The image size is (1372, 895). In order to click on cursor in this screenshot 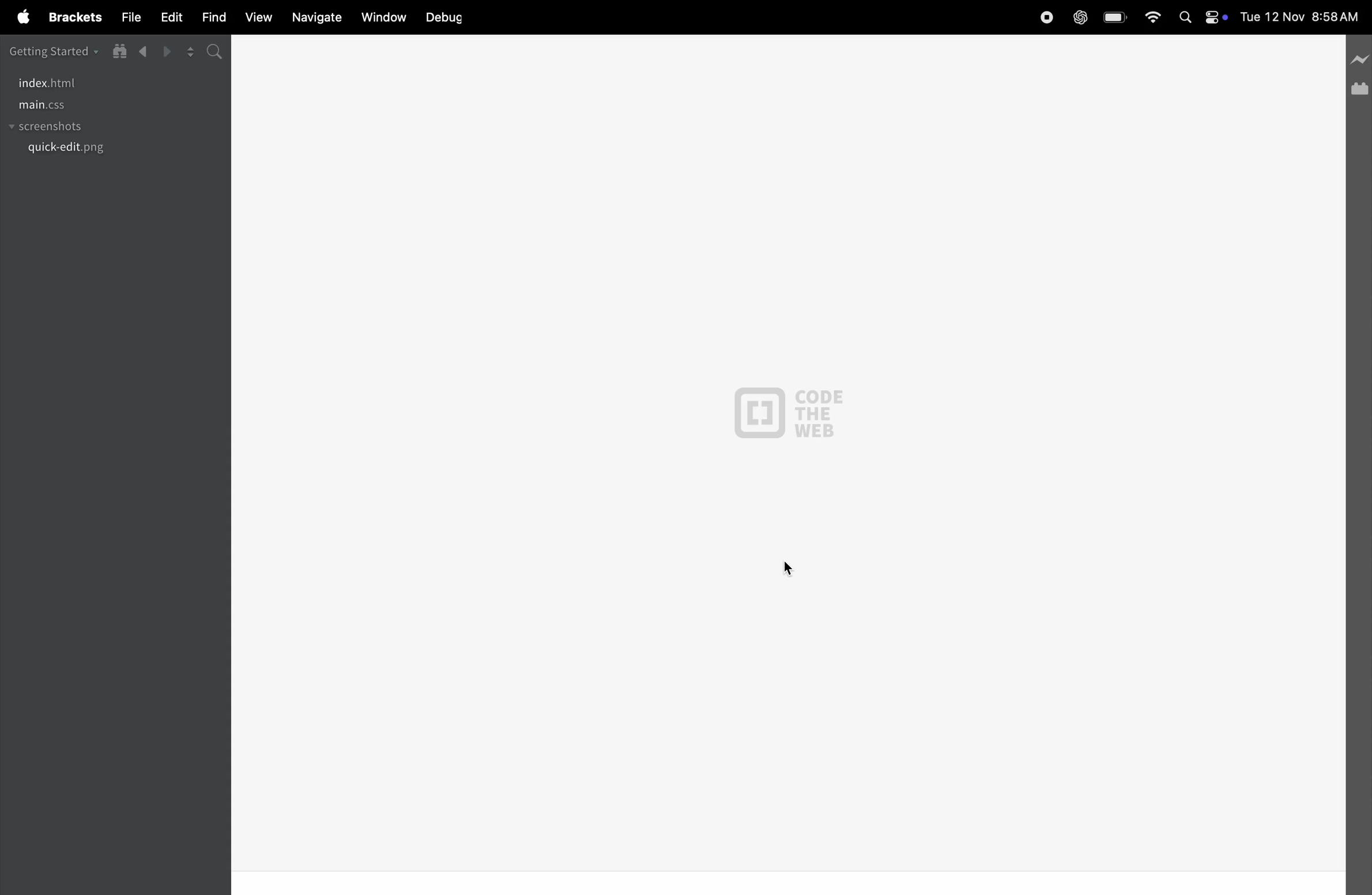, I will do `click(789, 570)`.